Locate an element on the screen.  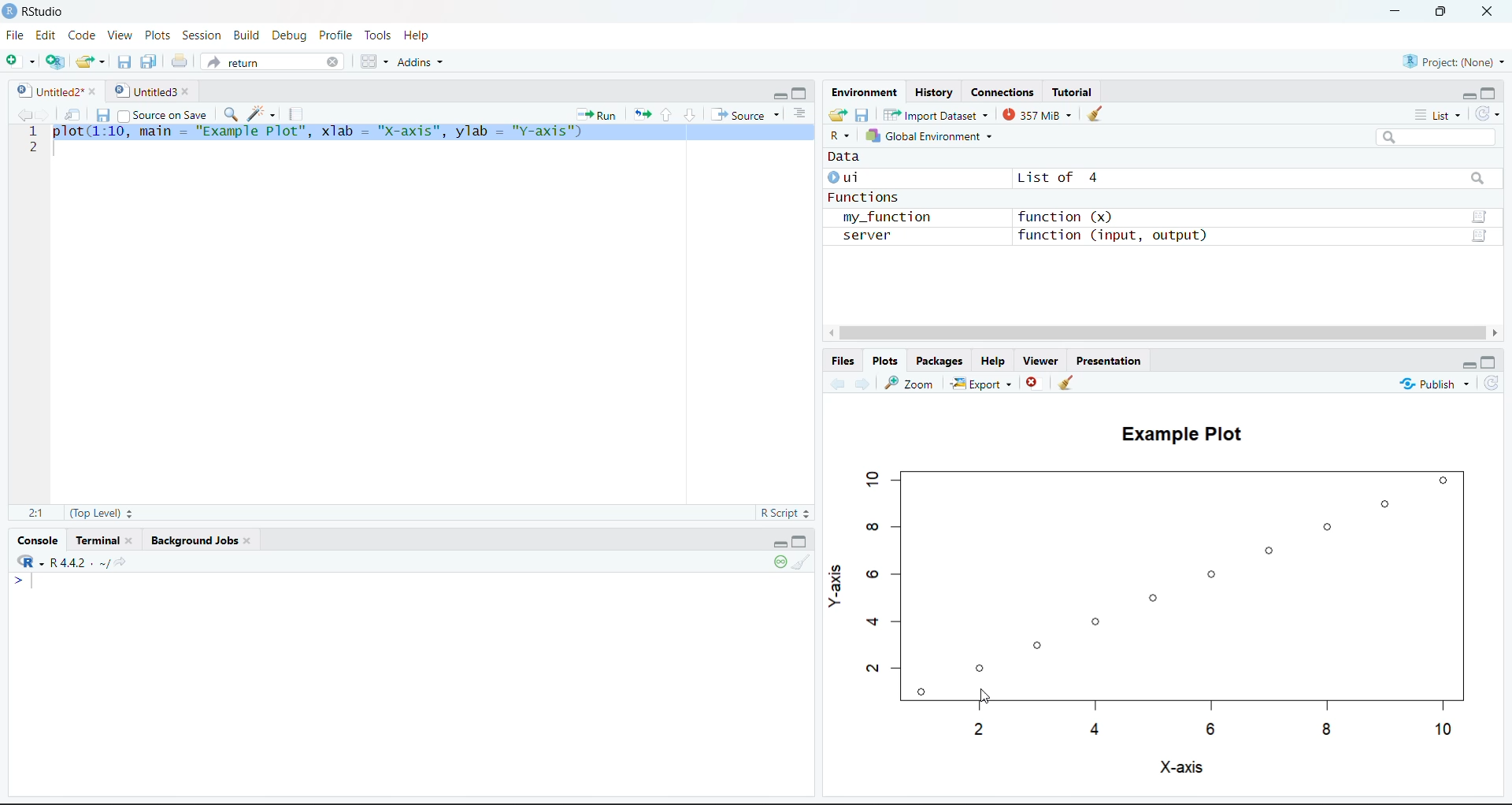
Clear console (Ctrl + L) is located at coordinates (1095, 114).